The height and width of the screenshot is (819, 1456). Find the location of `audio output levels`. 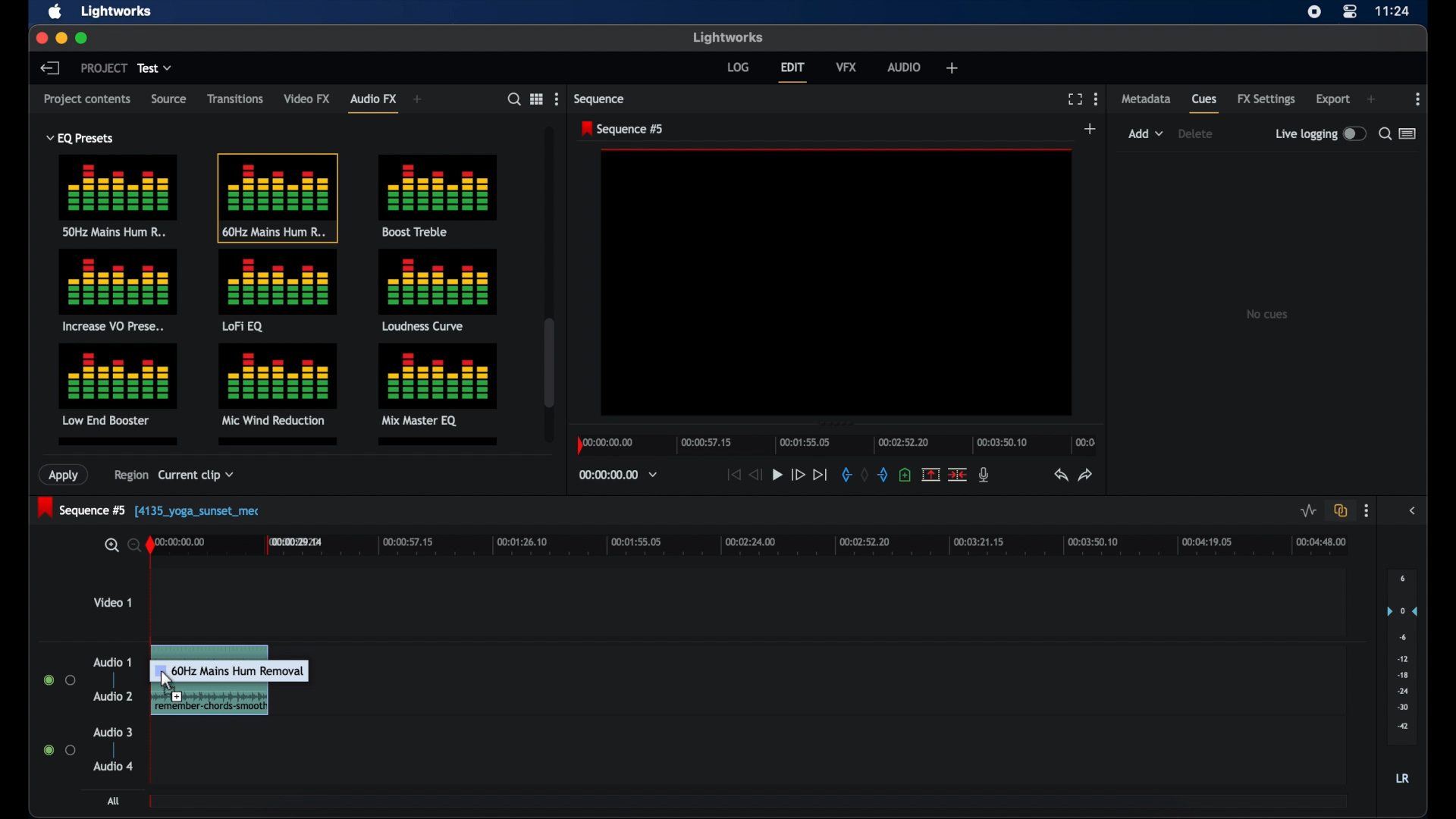

audio output levels is located at coordinates (1402, 657).